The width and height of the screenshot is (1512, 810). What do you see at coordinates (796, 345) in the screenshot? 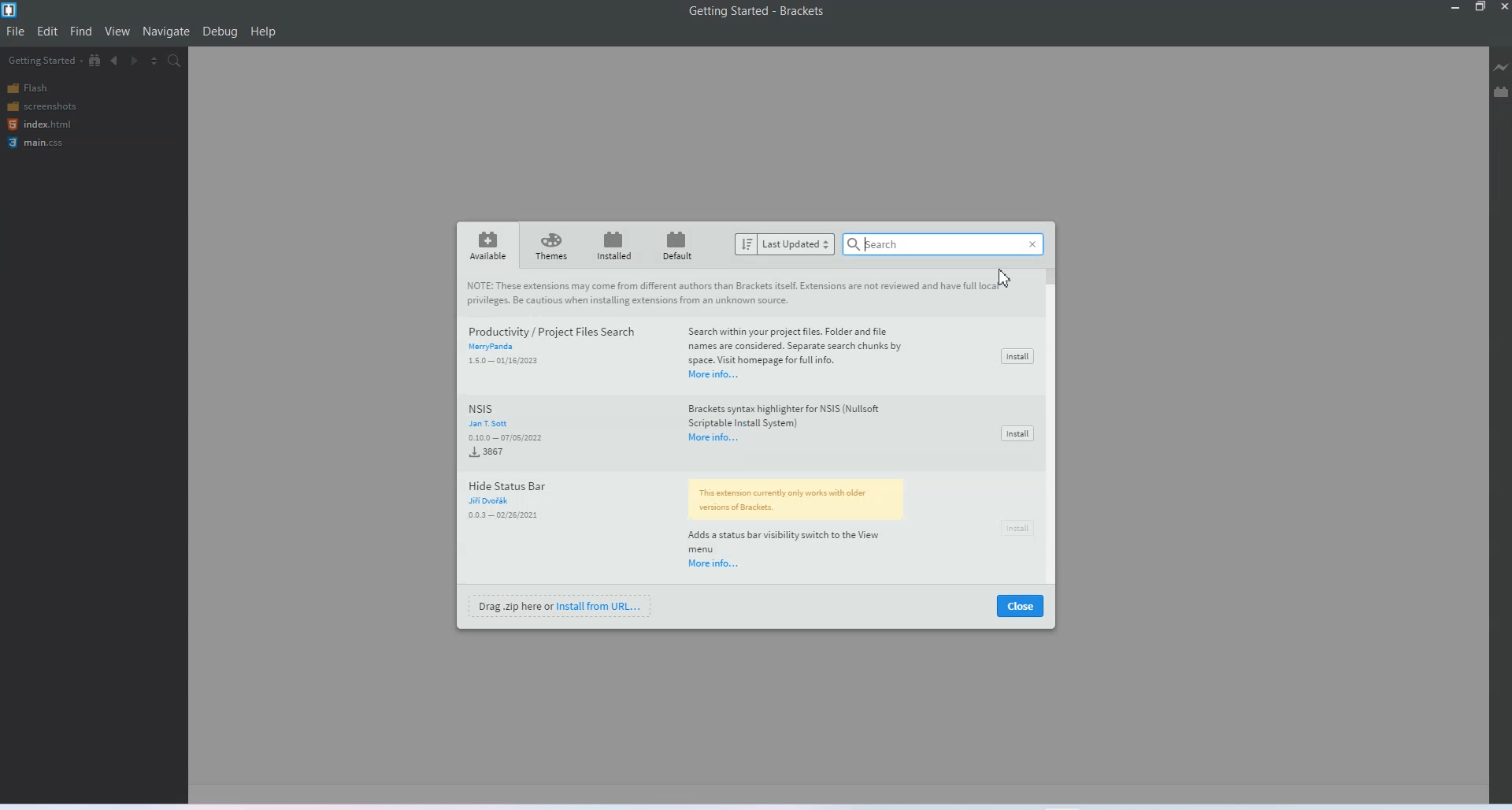
I see `Serach within your project files` at bounding box center [796, 345].